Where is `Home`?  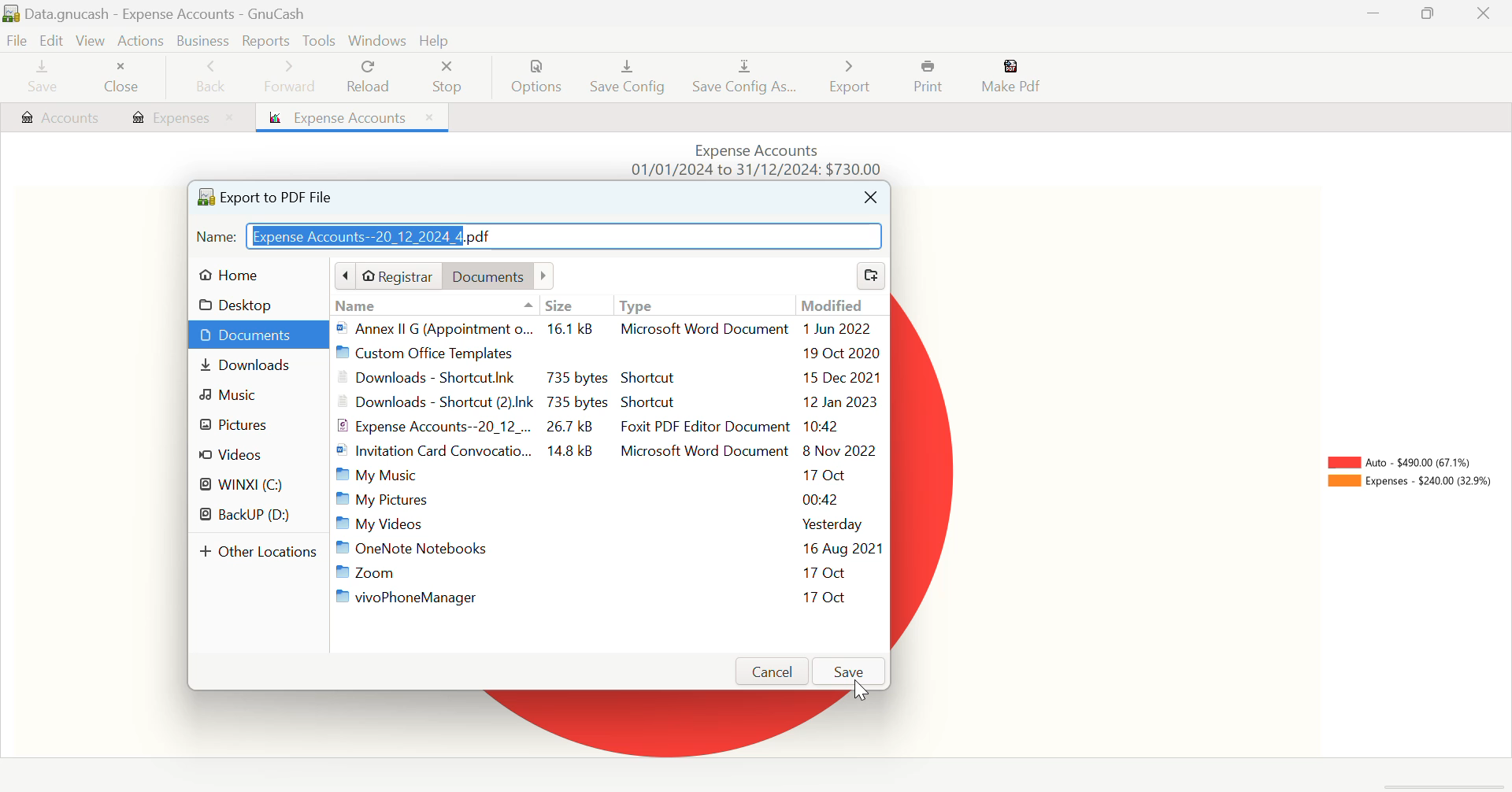 Home is located at coordinates (241, 275).